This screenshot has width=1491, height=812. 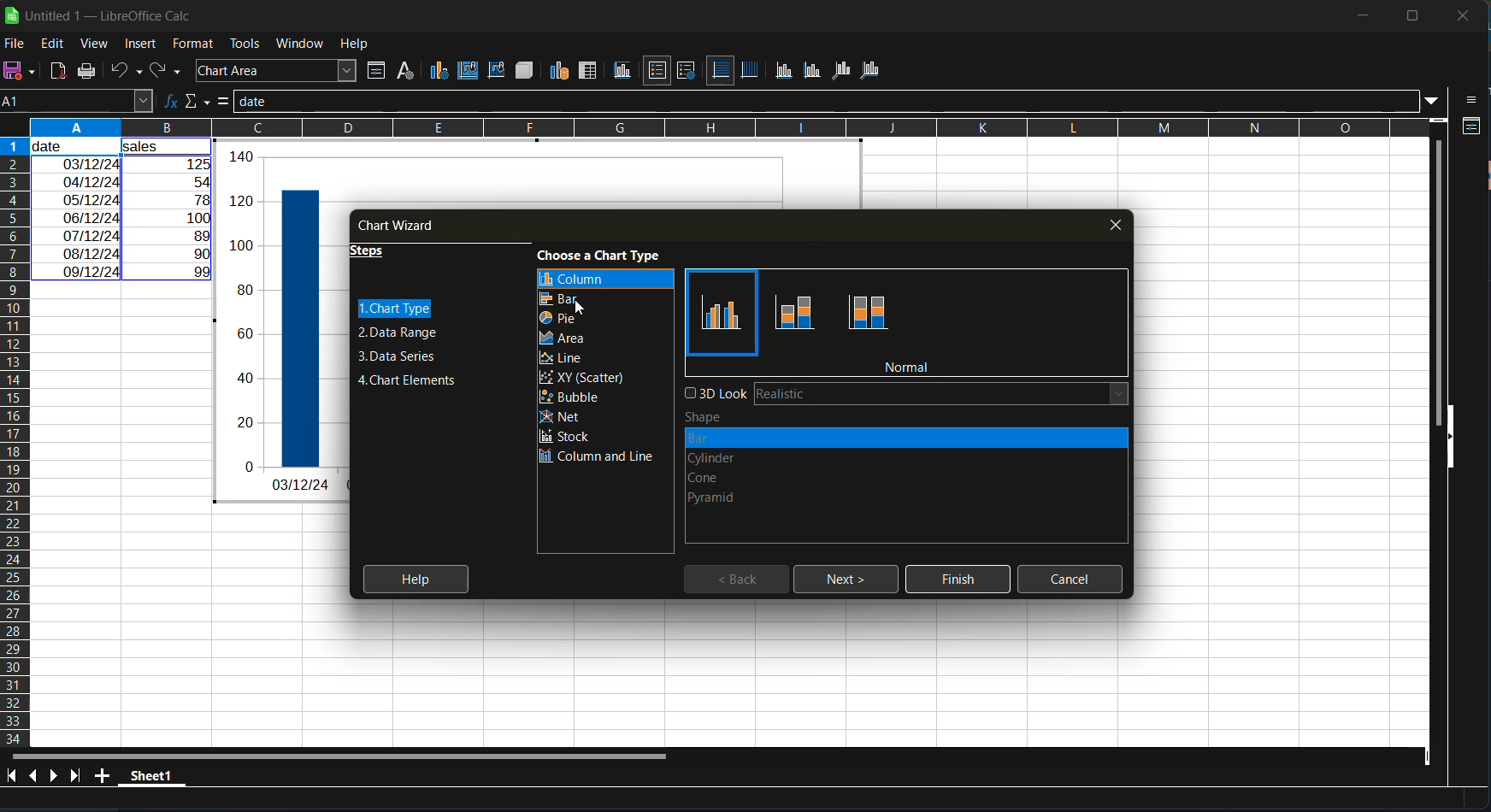 I want to click on finish, so click(x=955, y=582).